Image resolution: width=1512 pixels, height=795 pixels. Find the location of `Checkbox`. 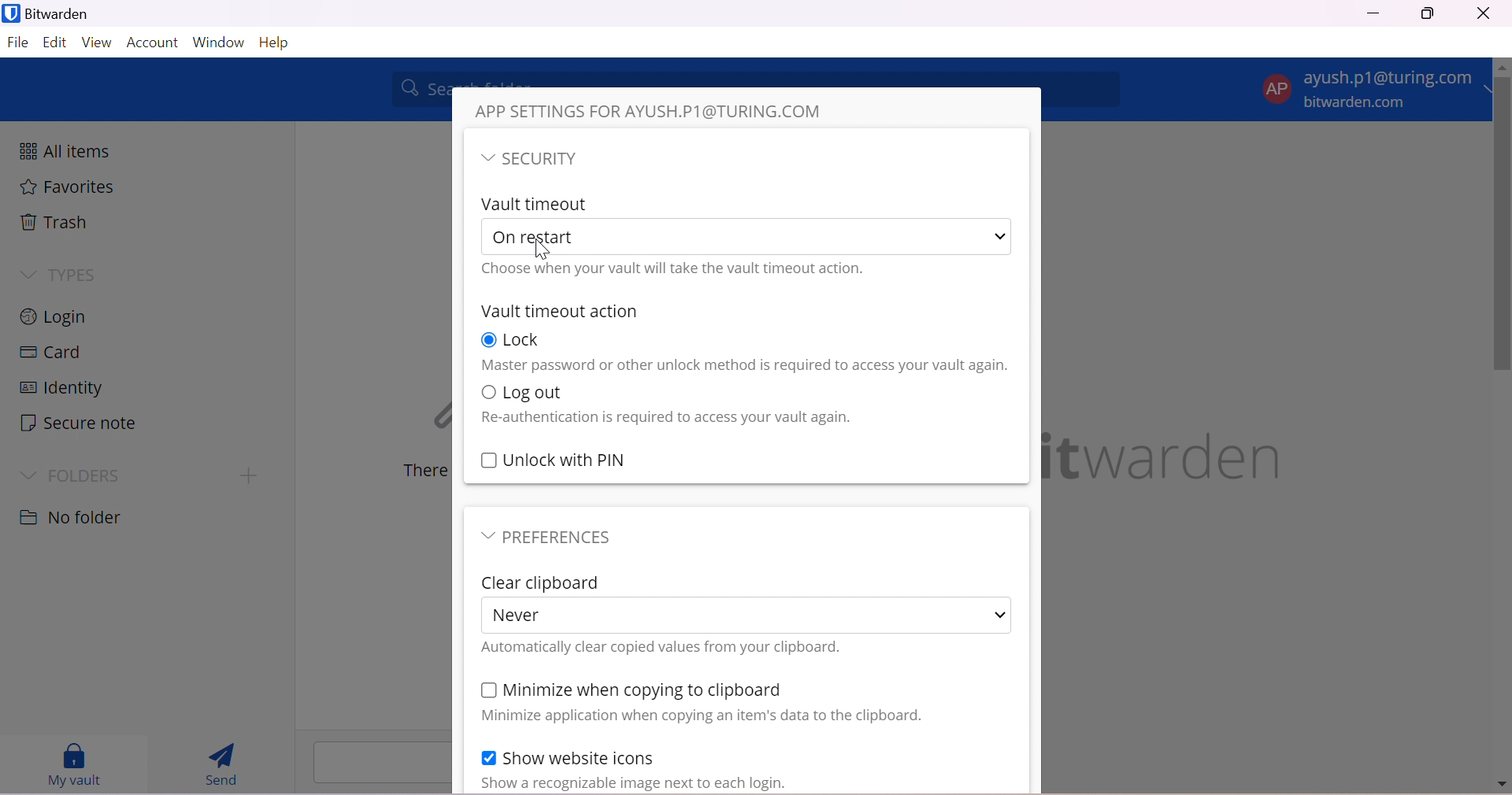

Checkbox is located at coordinates (487, 340).